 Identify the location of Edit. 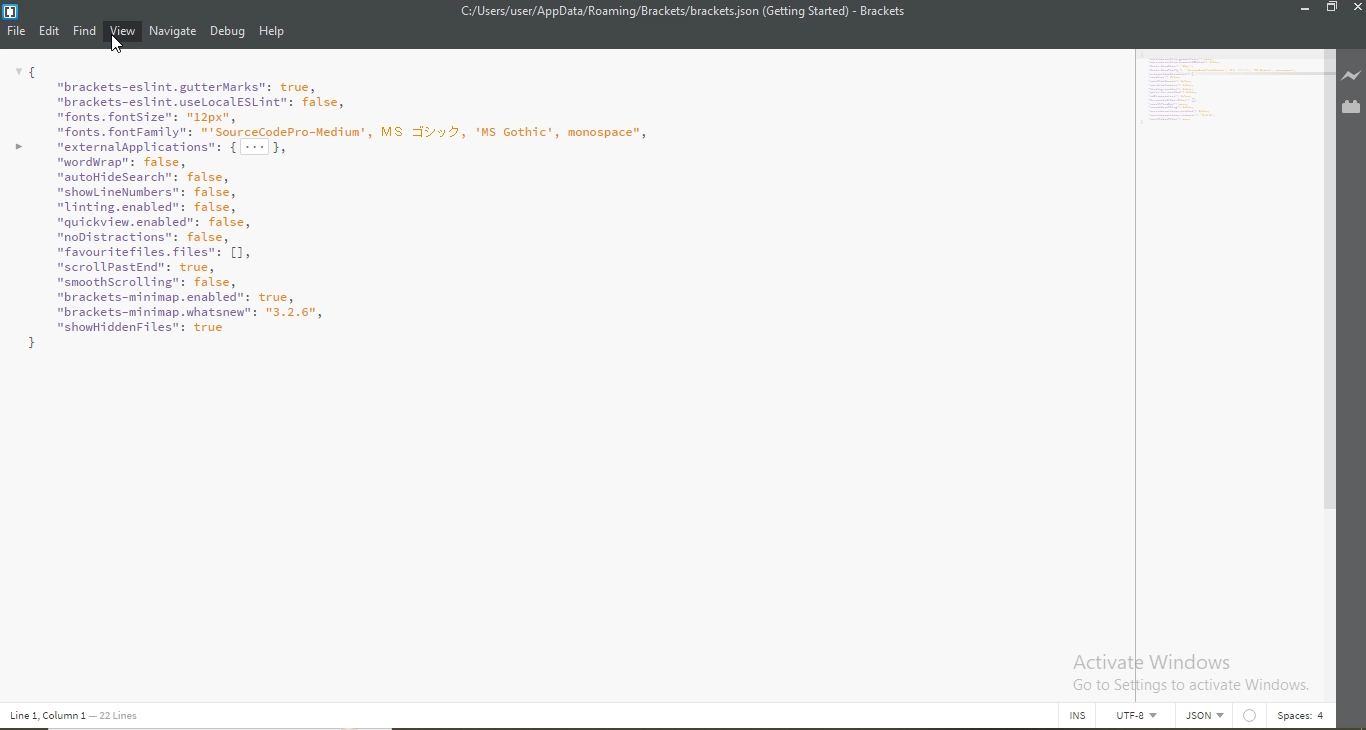
(51, 30).